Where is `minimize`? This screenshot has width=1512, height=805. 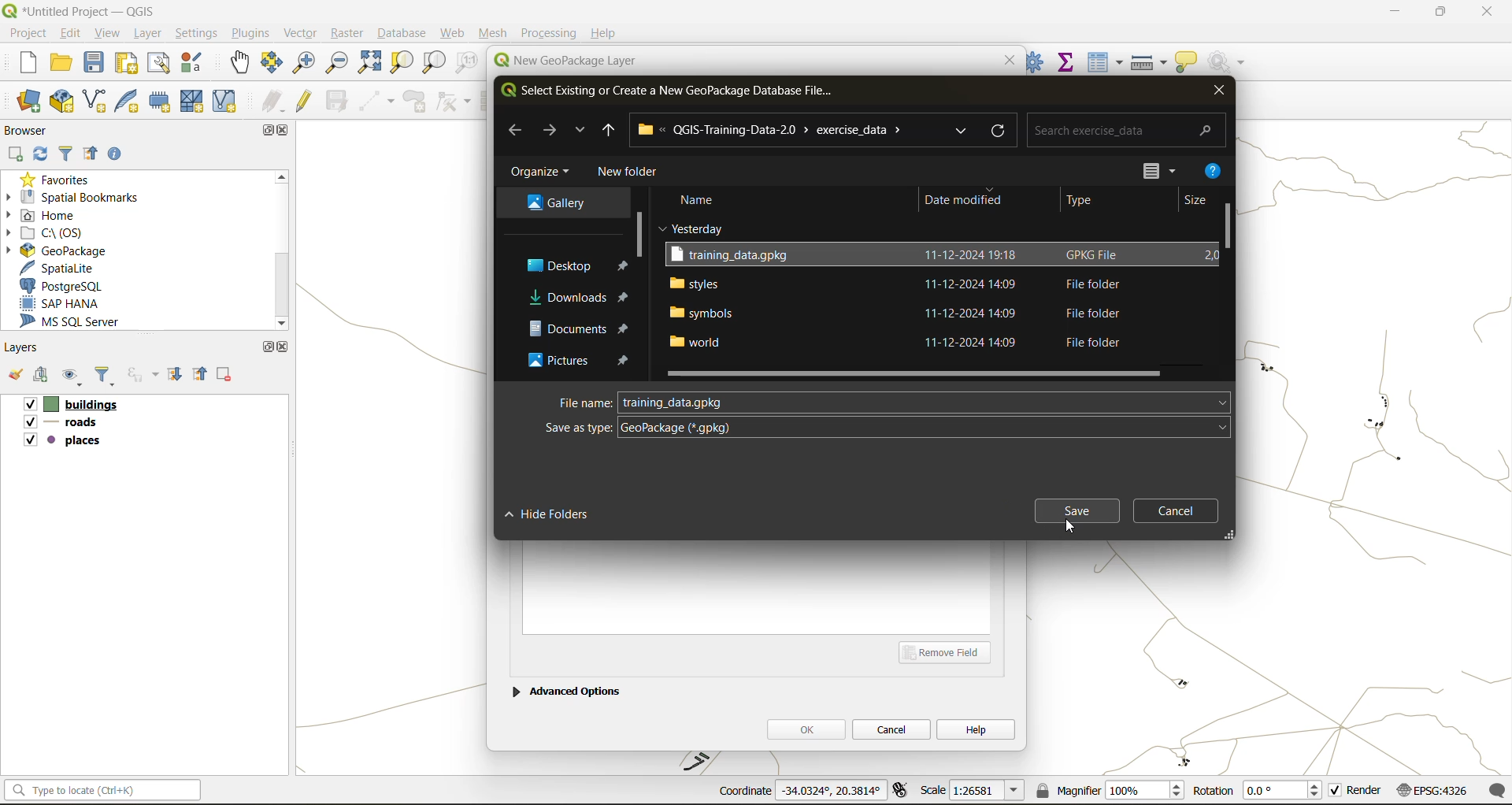
minimize is located at coordinates (1390, 14).